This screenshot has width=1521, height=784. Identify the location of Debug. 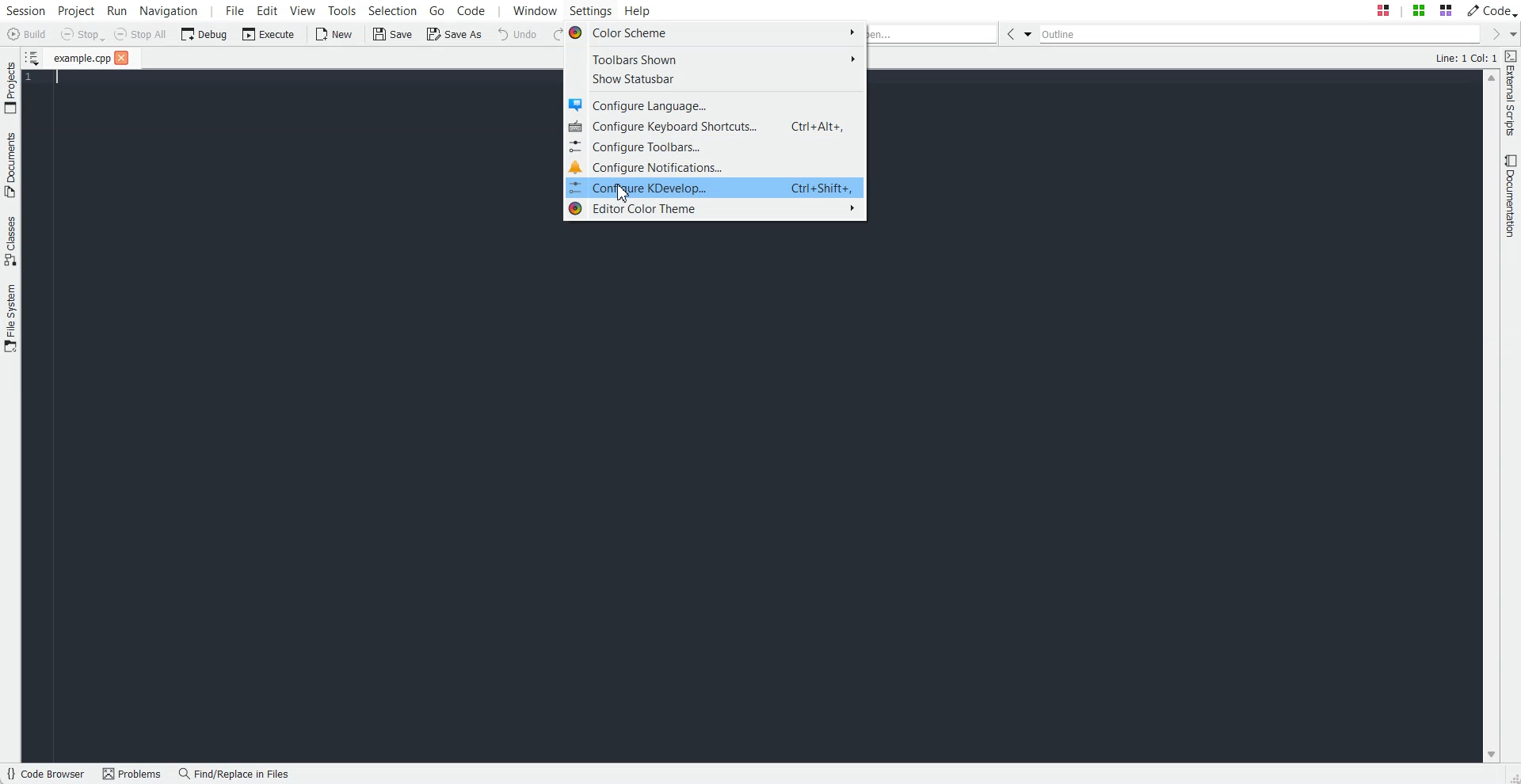
(204, 34).